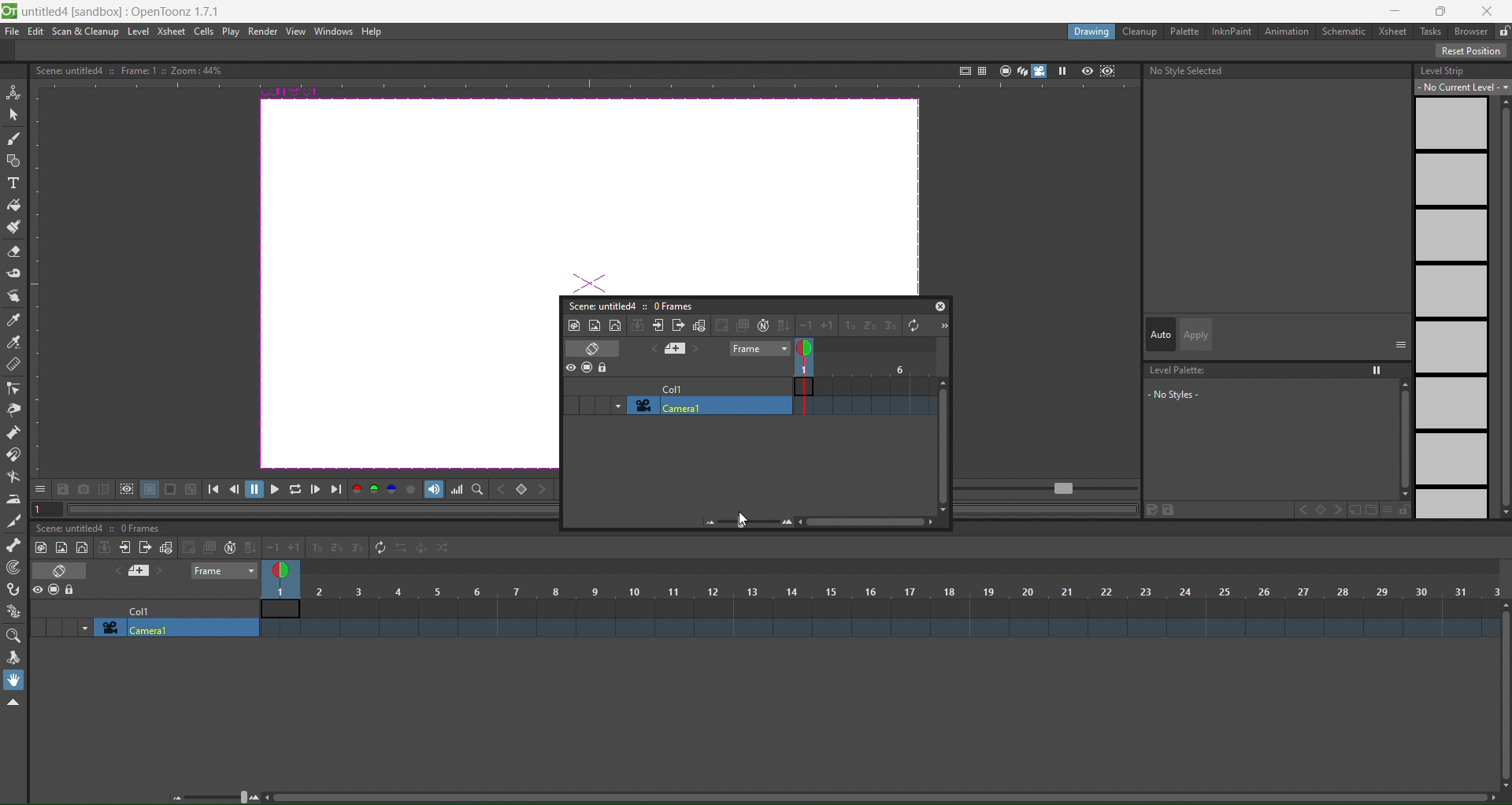 Image resolution: width=1512 pixels, height=805 pixels. I want to click on close, so click(1492, 9).